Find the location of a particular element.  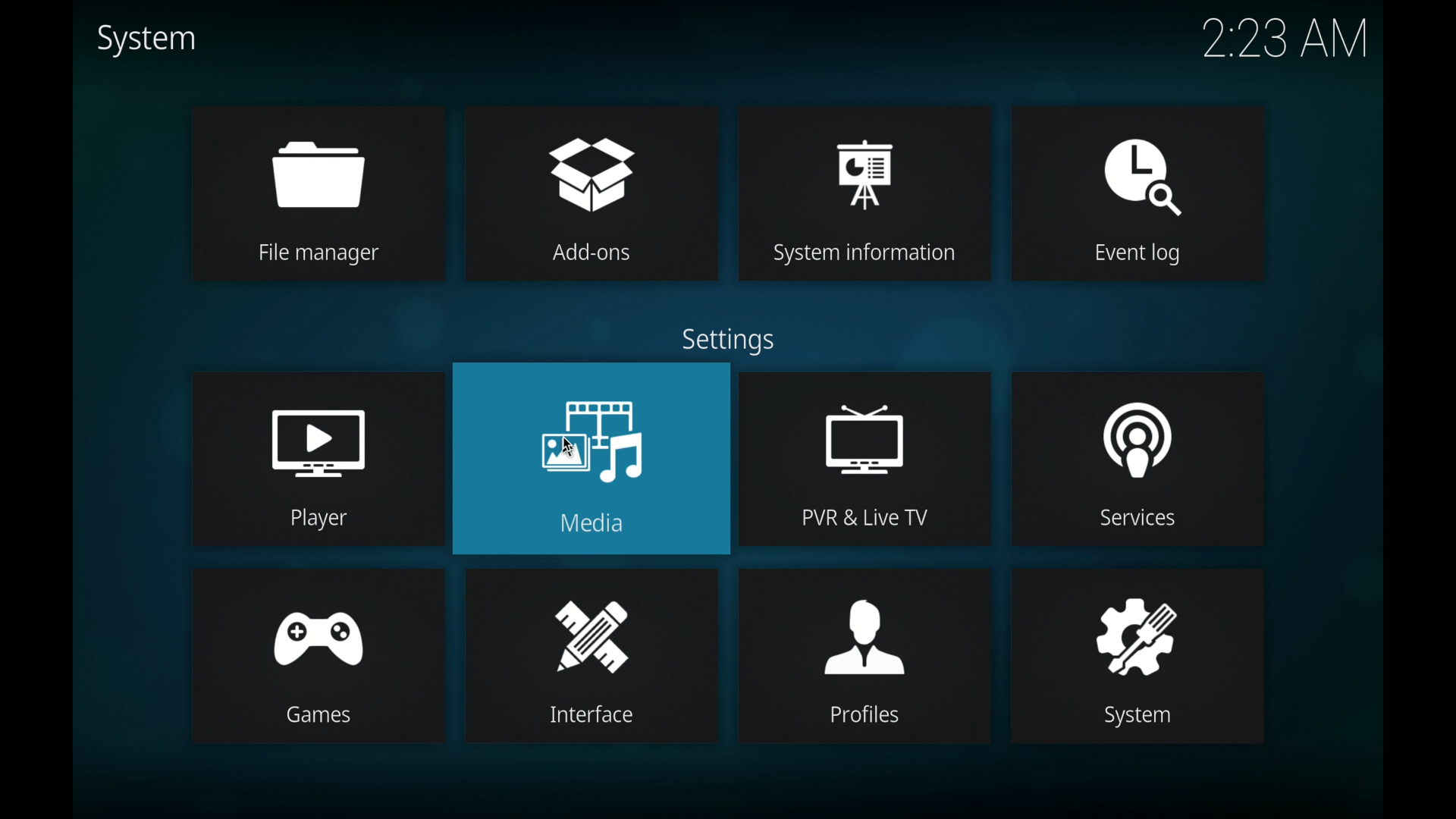

PVR & Live TV is located at coordinates (866, 517).